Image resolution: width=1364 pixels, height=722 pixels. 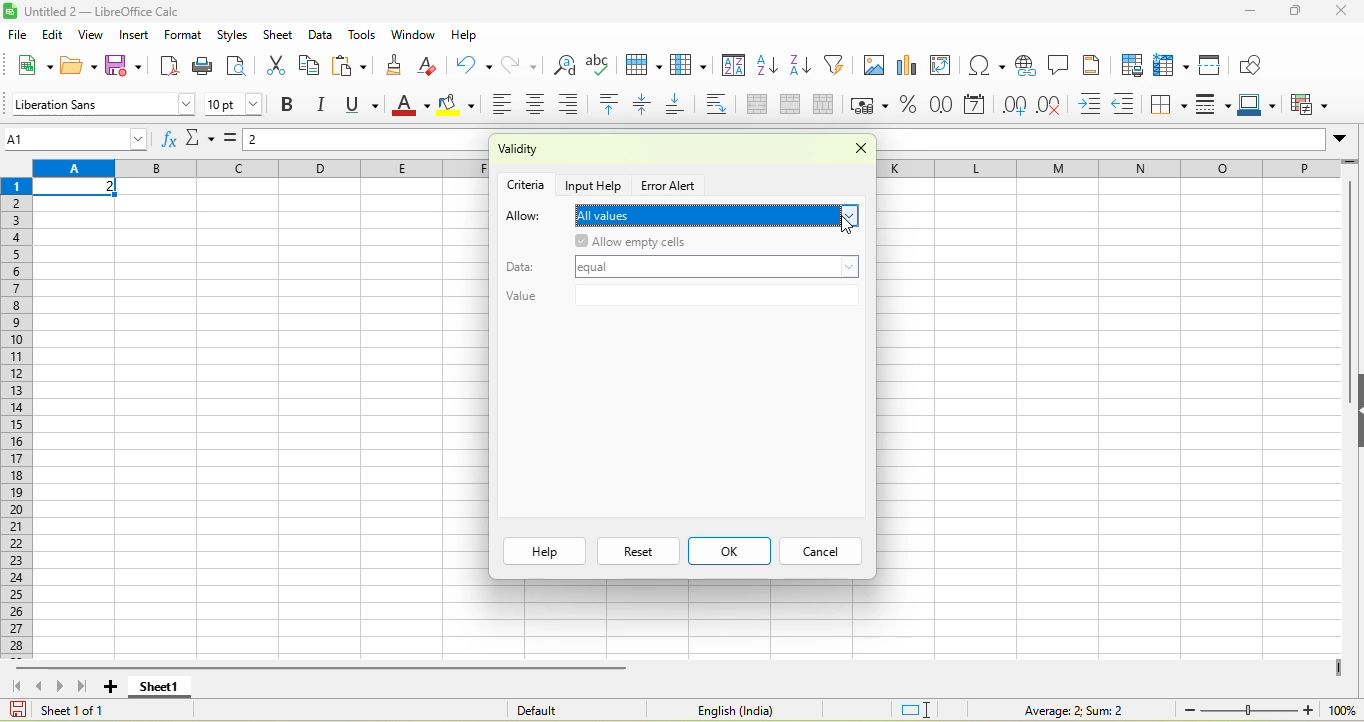 I want to click on italics, so click(x=326, y=105).